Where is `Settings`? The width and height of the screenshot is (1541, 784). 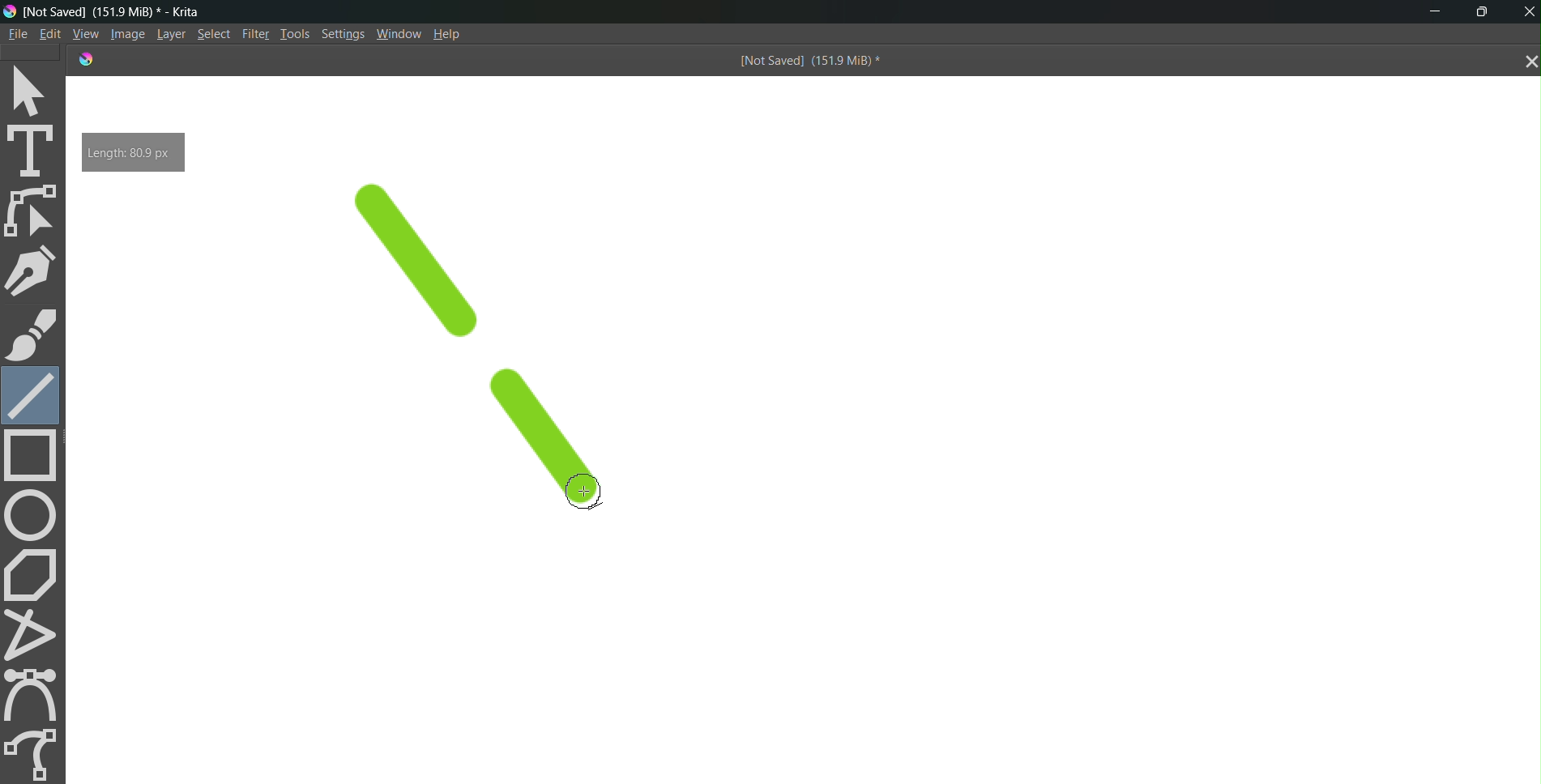 Settings is located at coordinates (344, 36).